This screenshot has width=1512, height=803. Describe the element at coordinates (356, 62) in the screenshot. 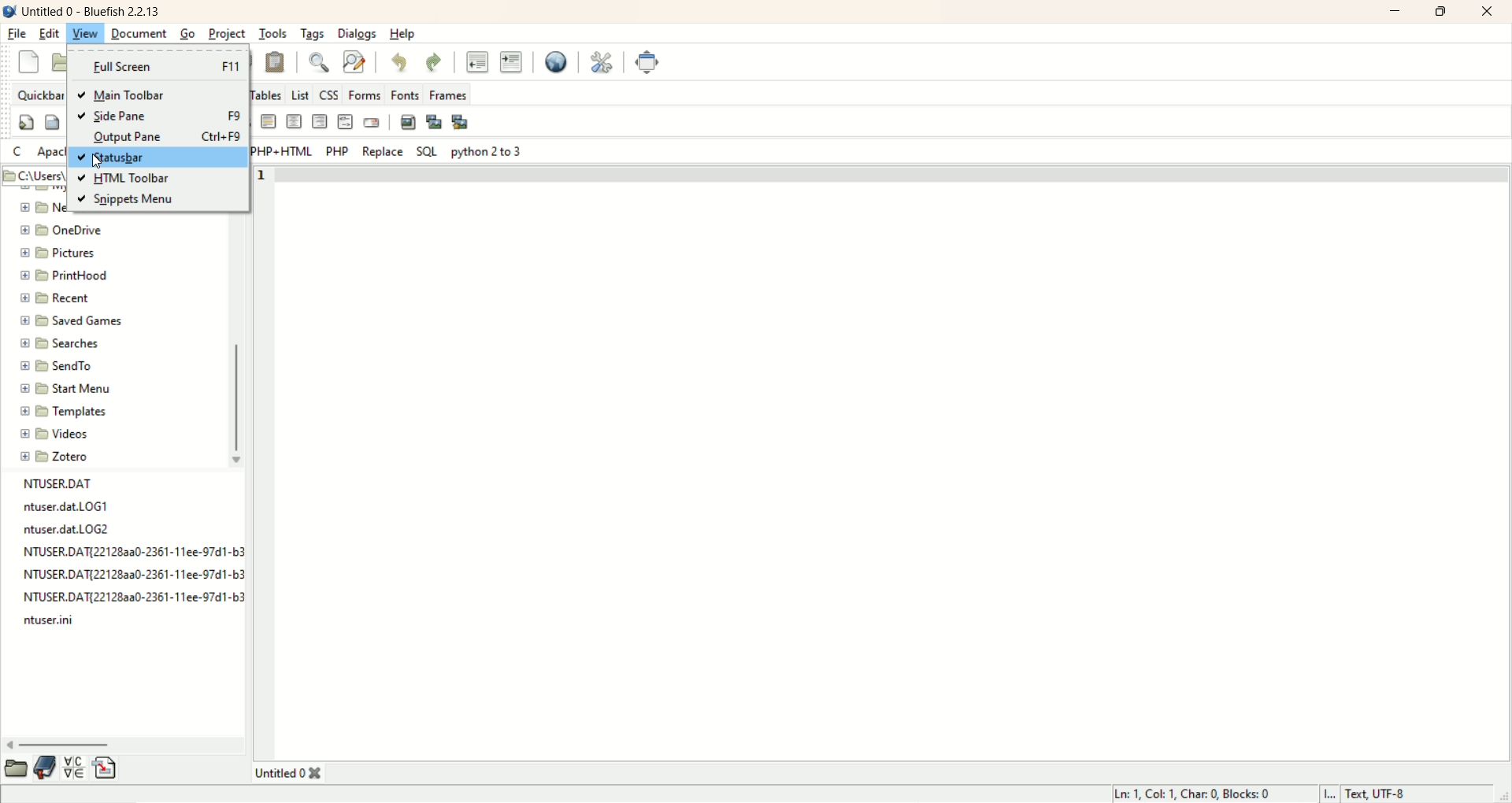

I see `advanced find and replace` at that location.